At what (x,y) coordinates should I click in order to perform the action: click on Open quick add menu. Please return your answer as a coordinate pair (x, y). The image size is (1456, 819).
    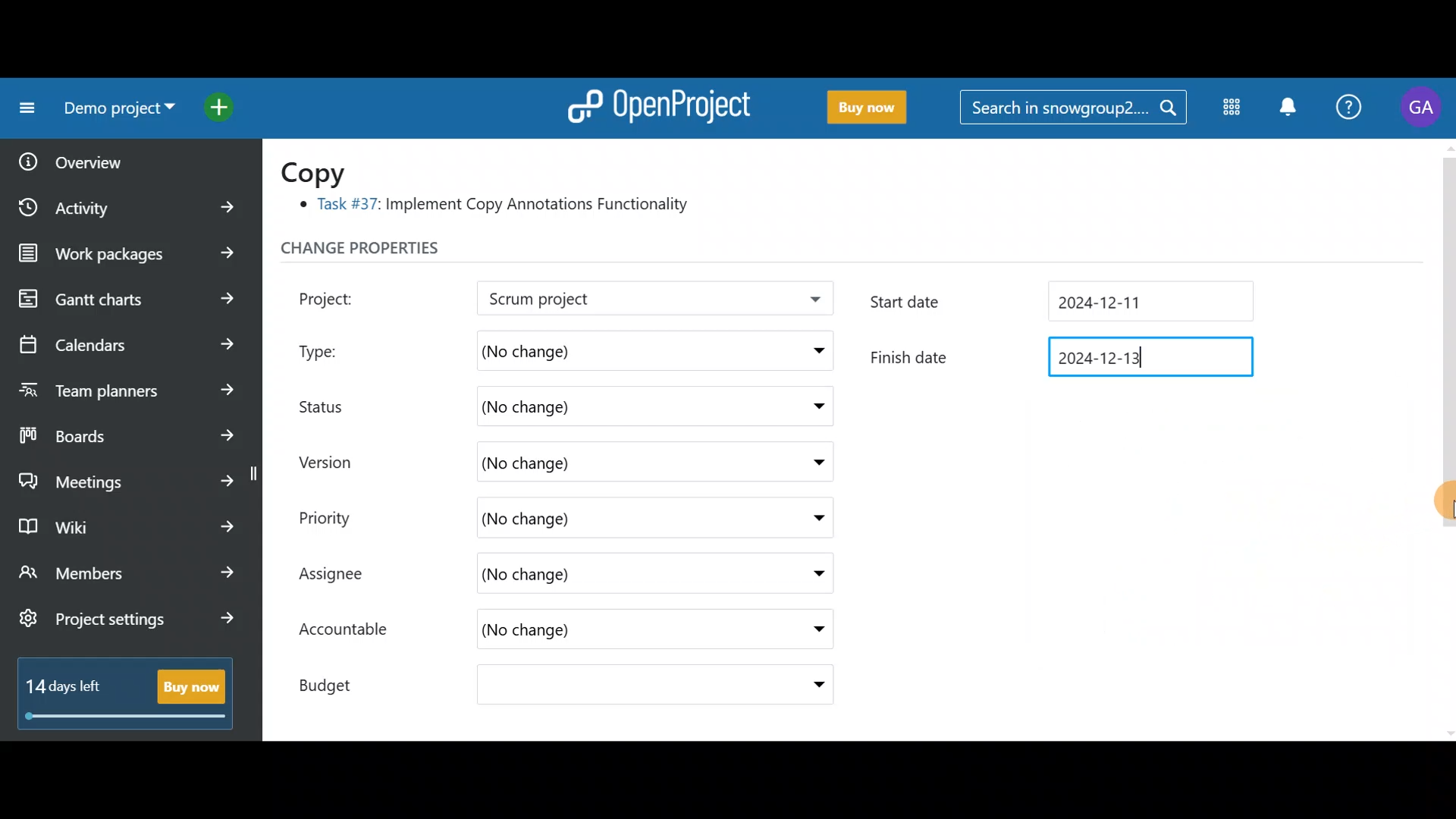
    Looking at the image, I should click on (223, 104).